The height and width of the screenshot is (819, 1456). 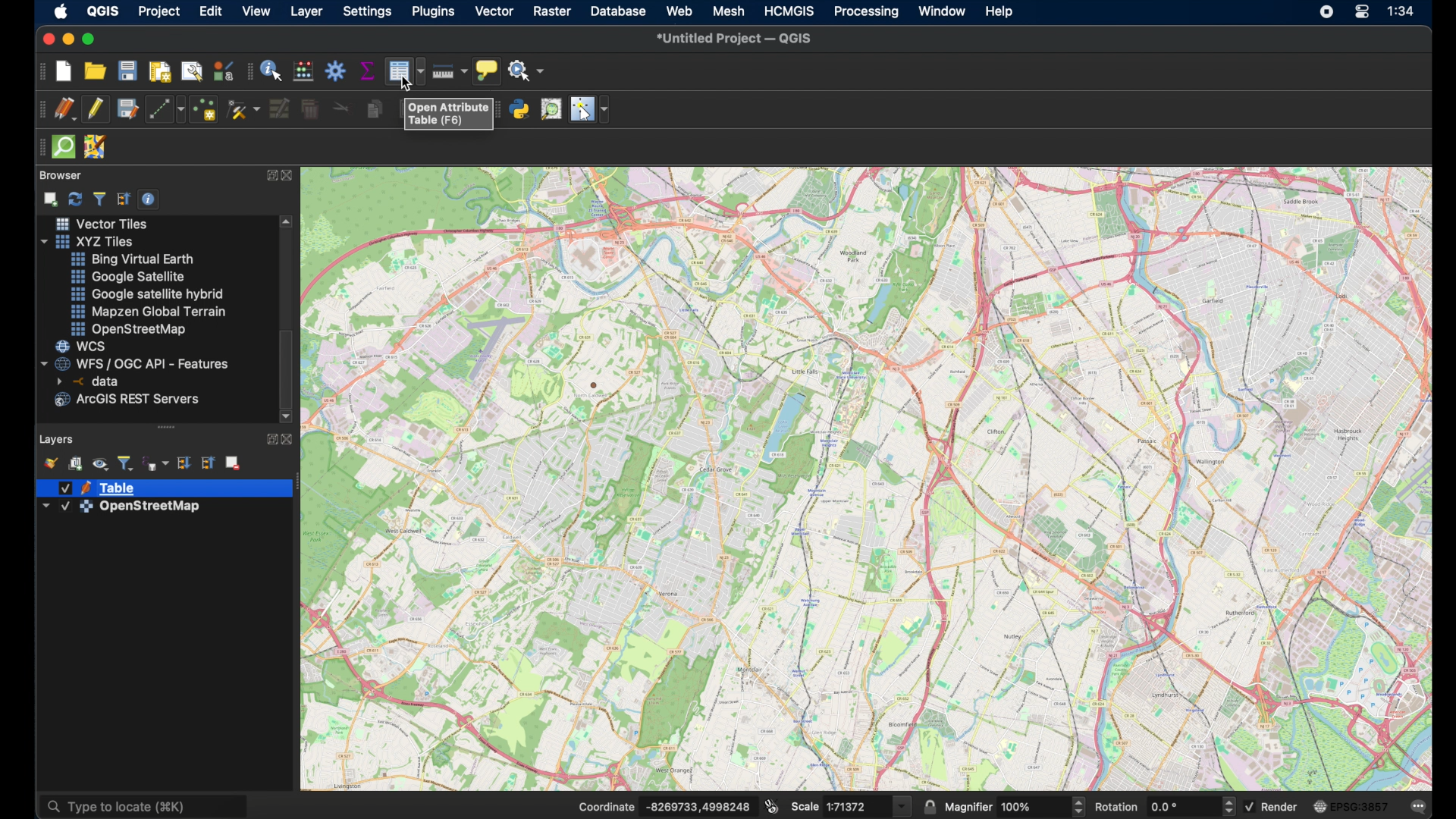 What do you see at coordinates (279, 108) in the screenshot?
I see `modify attributes` at bounding box center [279, 108].